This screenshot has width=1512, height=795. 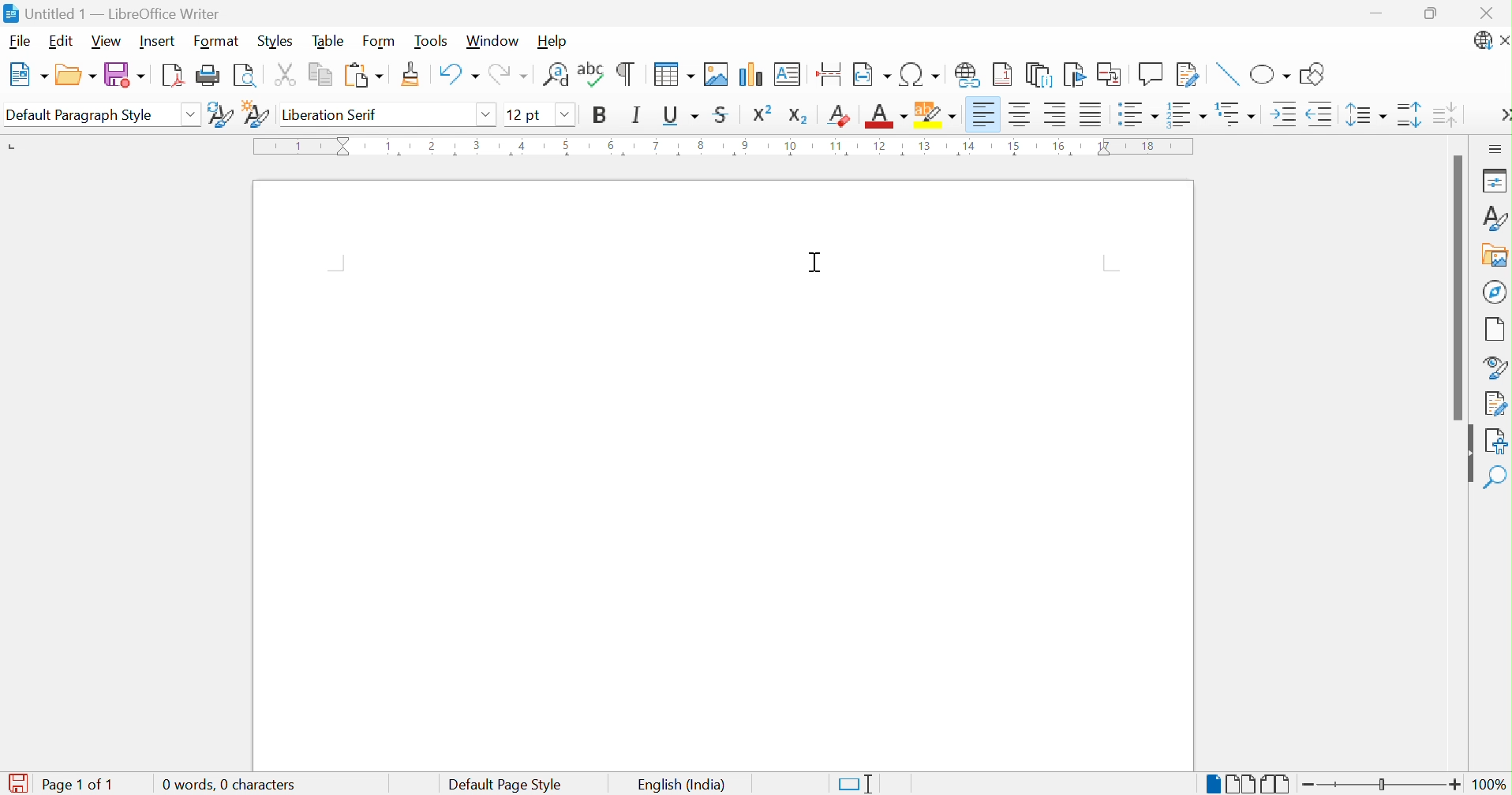 What do you see at coordinates (1434, 12) in the screenshot?
I see `Restore down` at bounding box center [1434, 12].